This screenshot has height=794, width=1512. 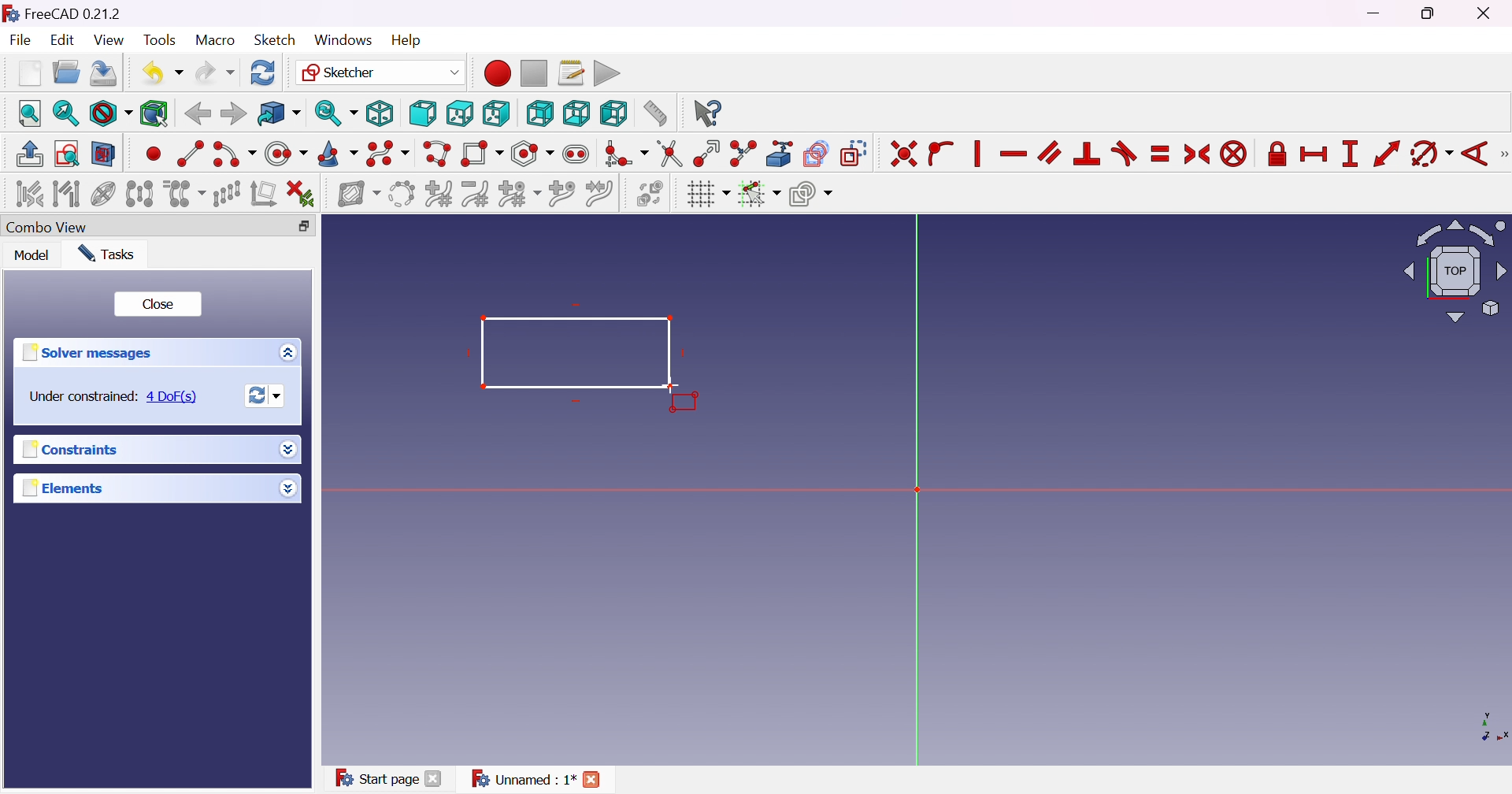 I want to click on Sketch, so click(x=275, y=39).